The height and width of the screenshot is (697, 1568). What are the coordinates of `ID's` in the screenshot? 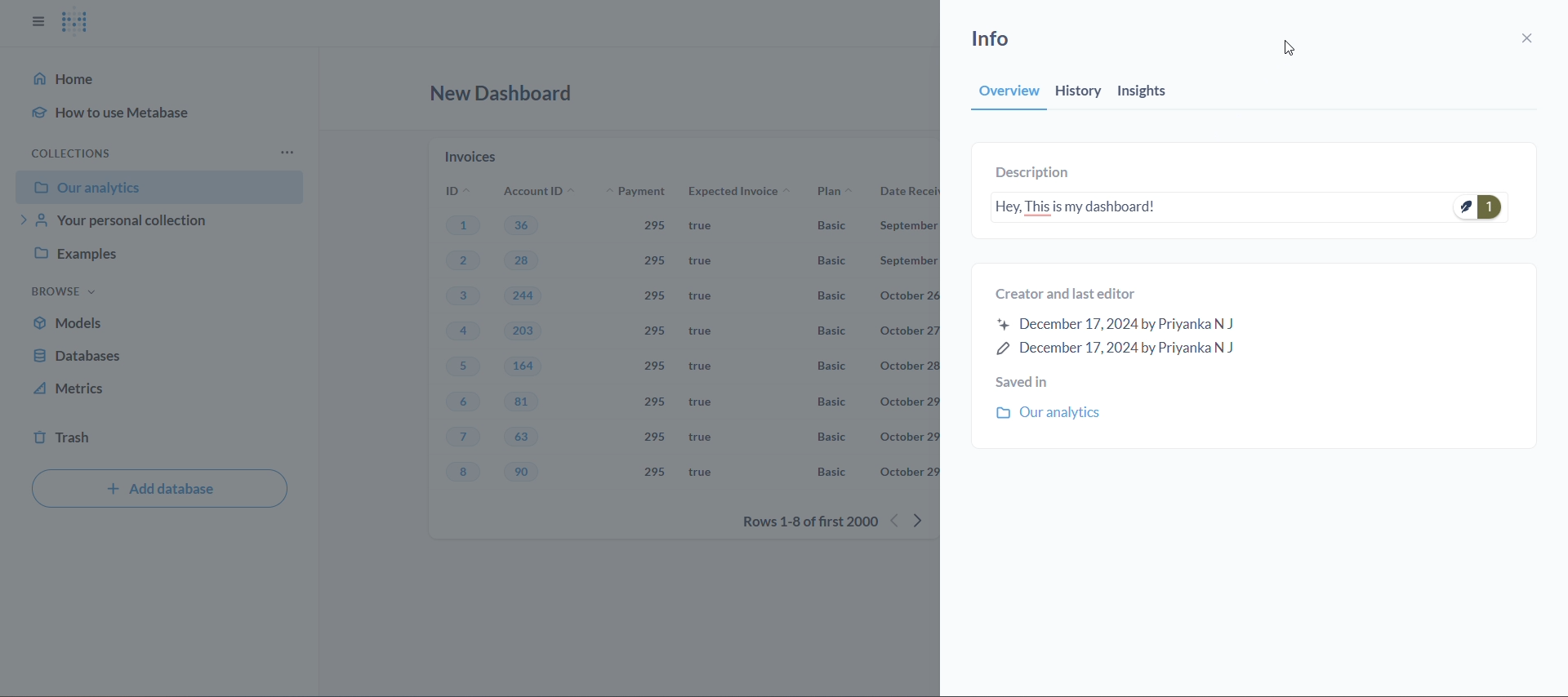 It's located at (451, 191).